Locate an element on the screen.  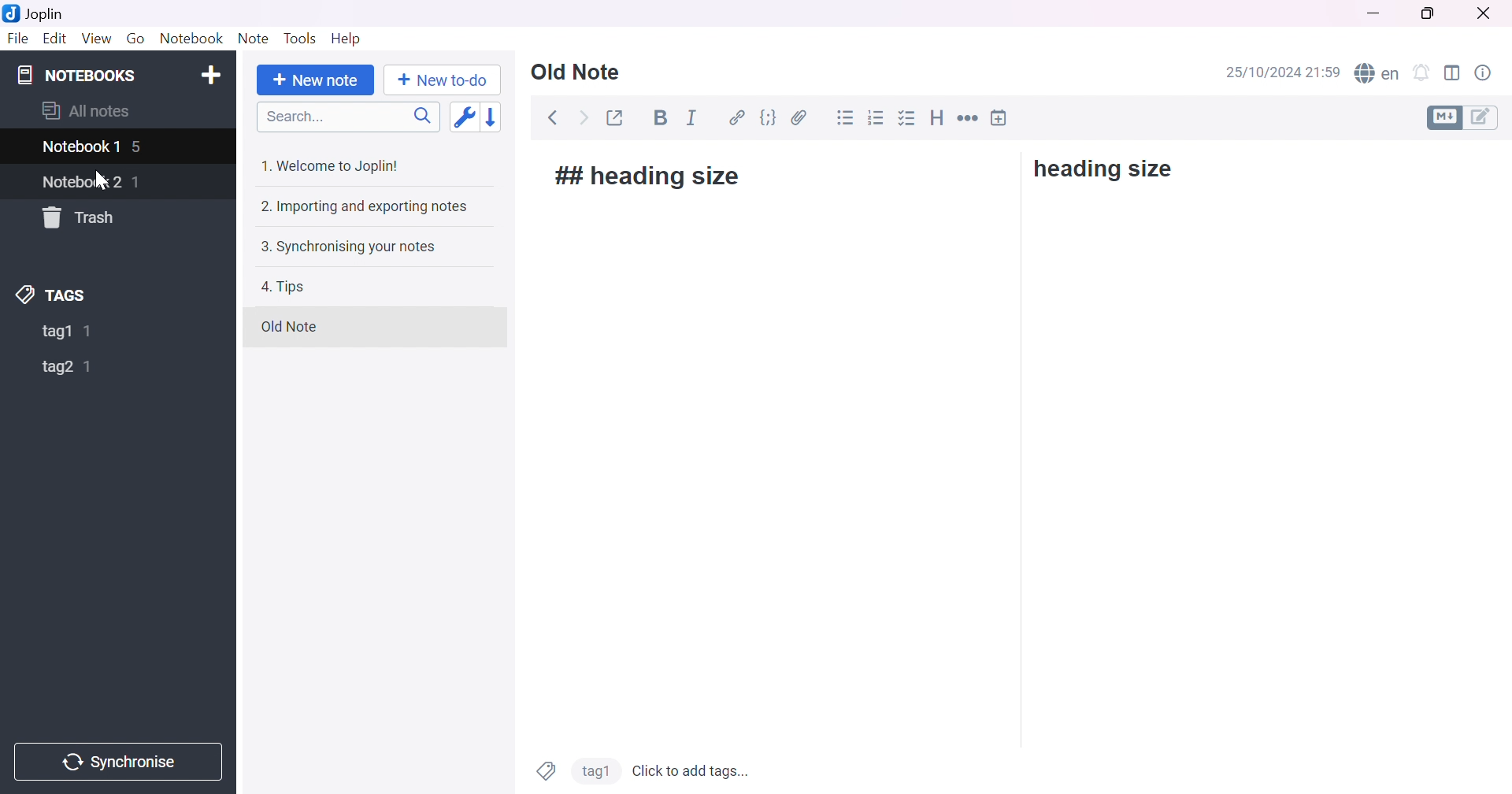
Note properties is located at coordinates (1488, 72).